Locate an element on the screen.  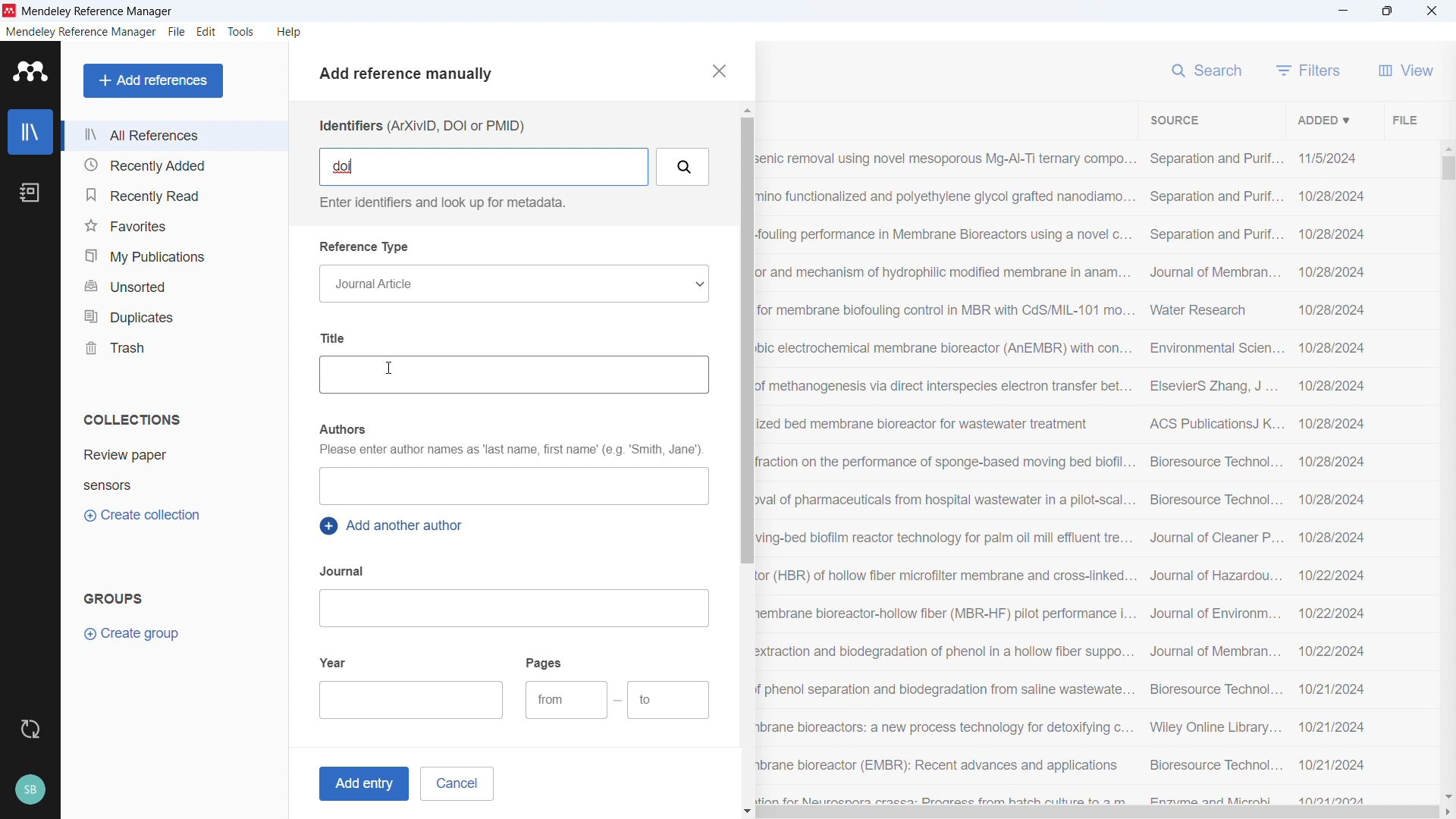
Collection 2  is located at coordinates (176, 485).